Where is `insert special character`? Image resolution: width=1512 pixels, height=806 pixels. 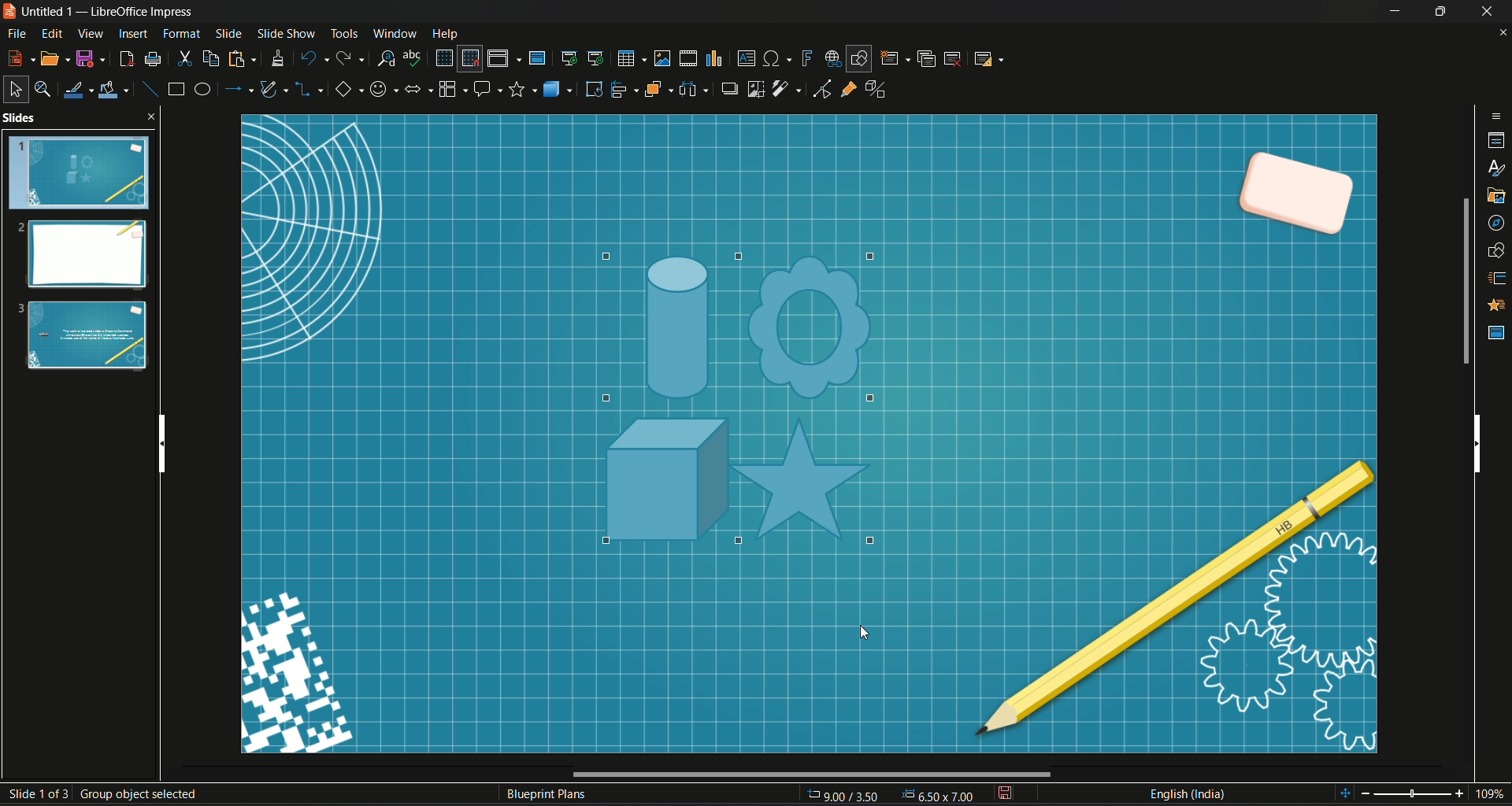 insert special character is located at coordinates (778, 57).